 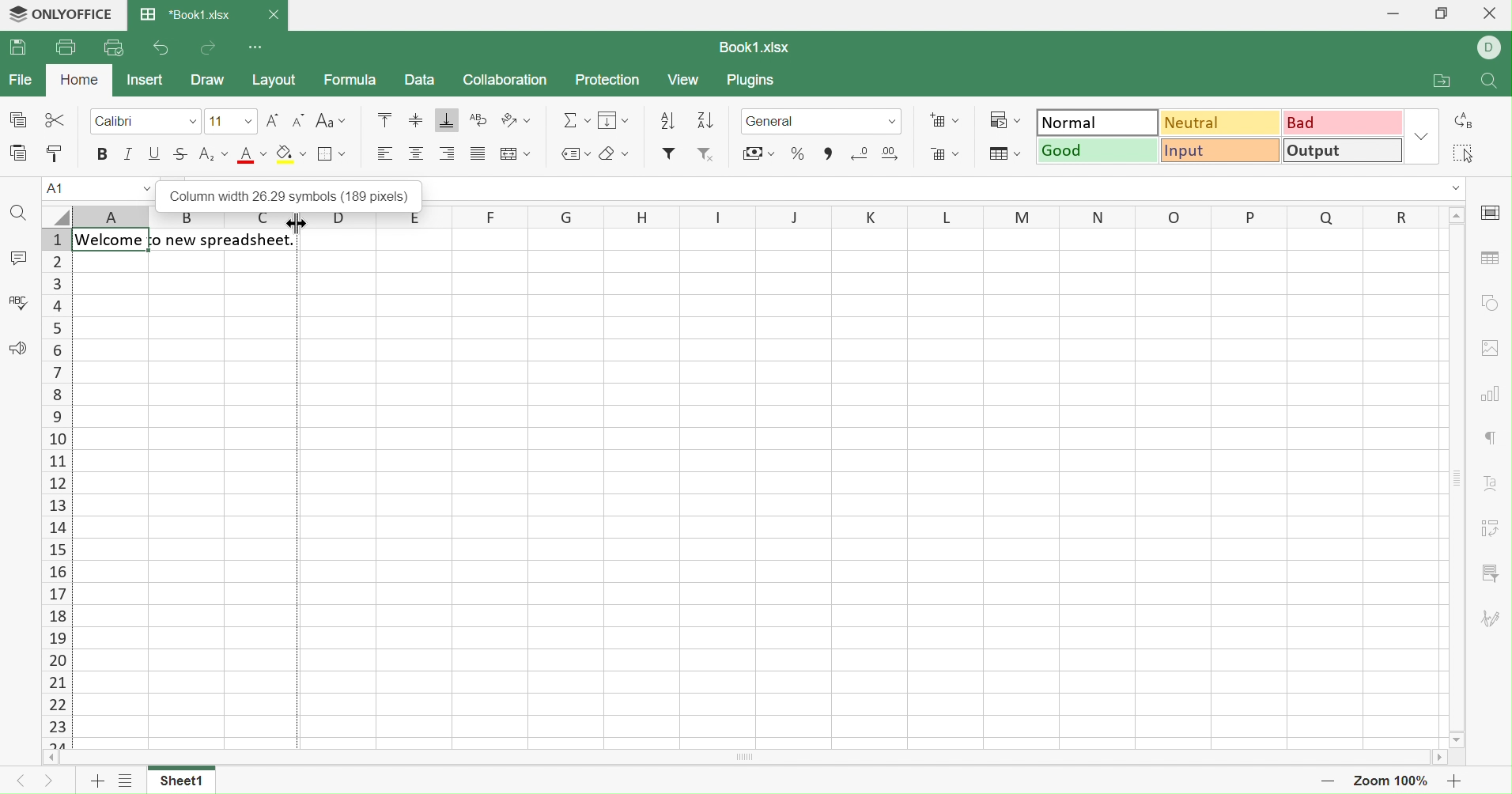 I want to click on File, so click(x=24, y=78).